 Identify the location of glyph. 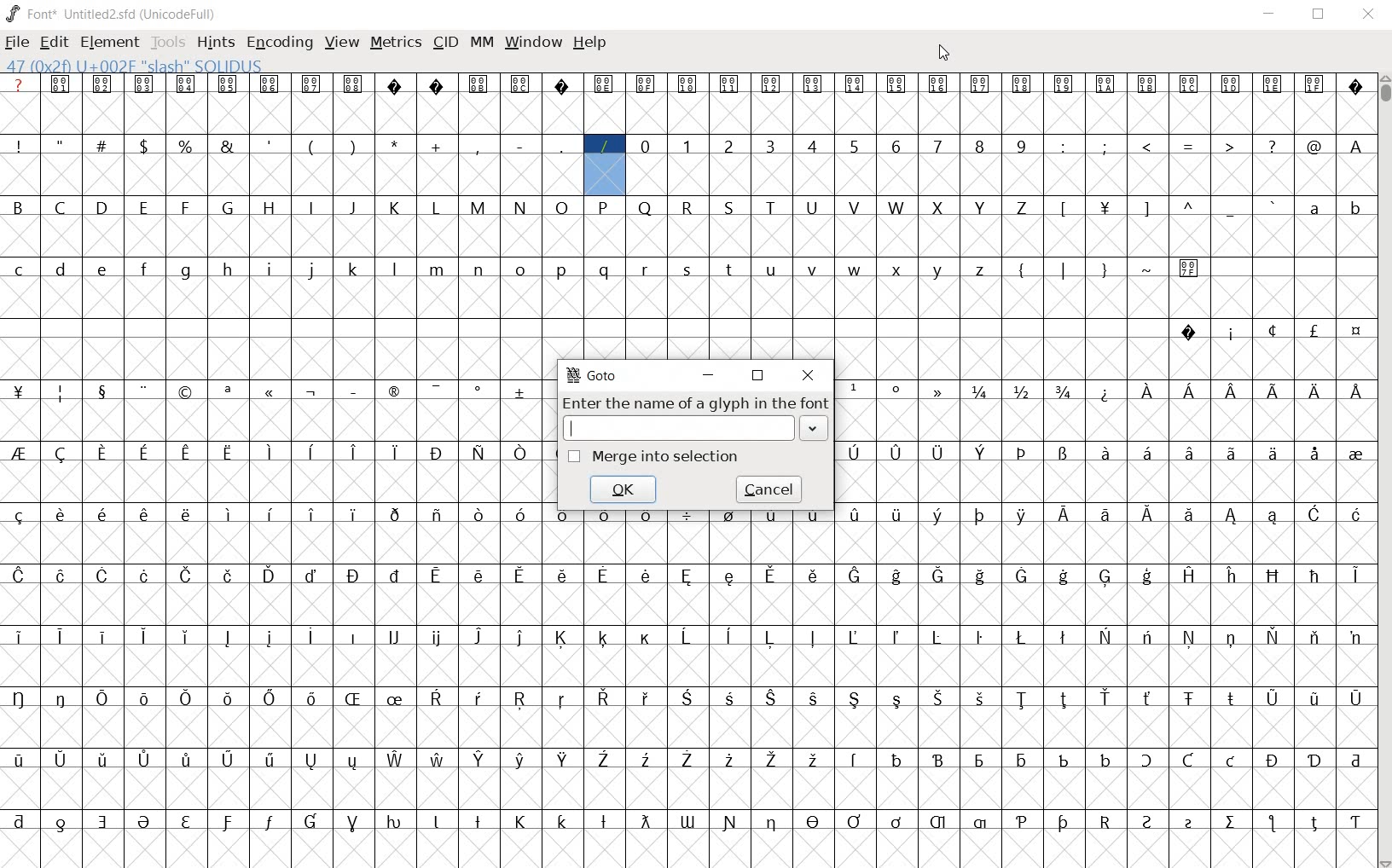
(519, 84).